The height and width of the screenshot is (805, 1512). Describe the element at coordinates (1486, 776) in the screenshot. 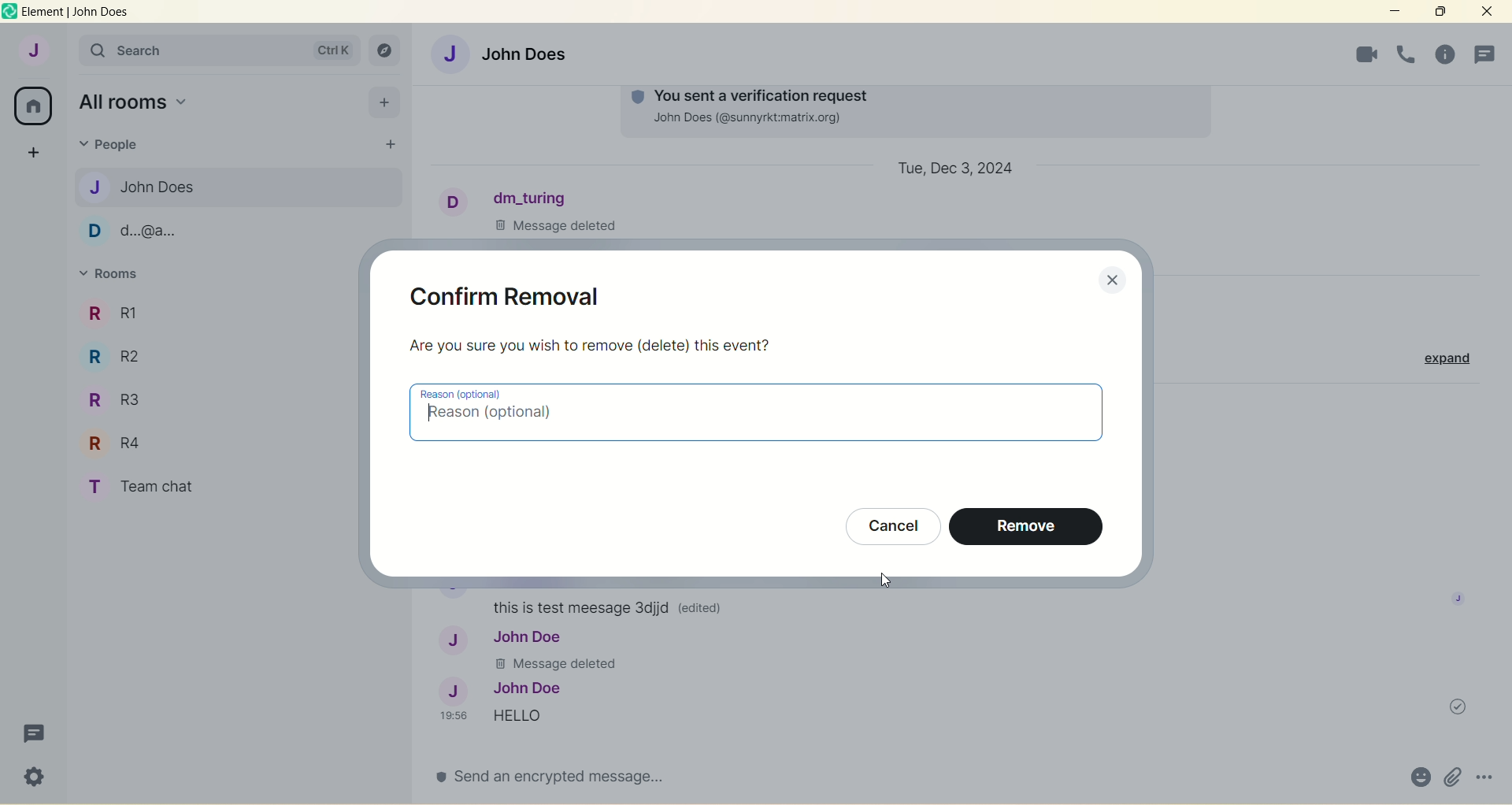

I see `options` at that location.